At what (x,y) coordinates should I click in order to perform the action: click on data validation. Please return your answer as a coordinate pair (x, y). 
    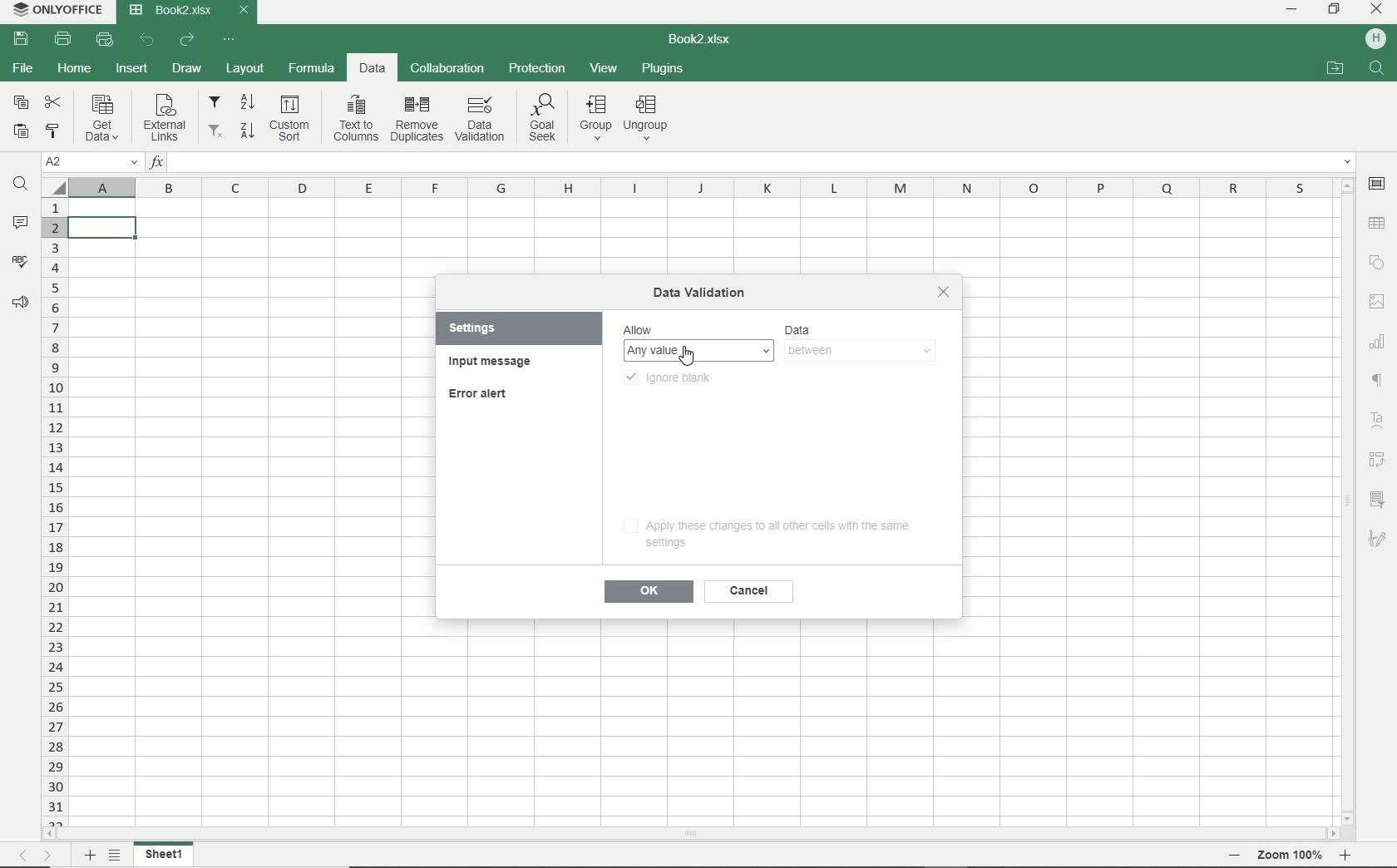
    Looking at the image, I should click on (703, 290).